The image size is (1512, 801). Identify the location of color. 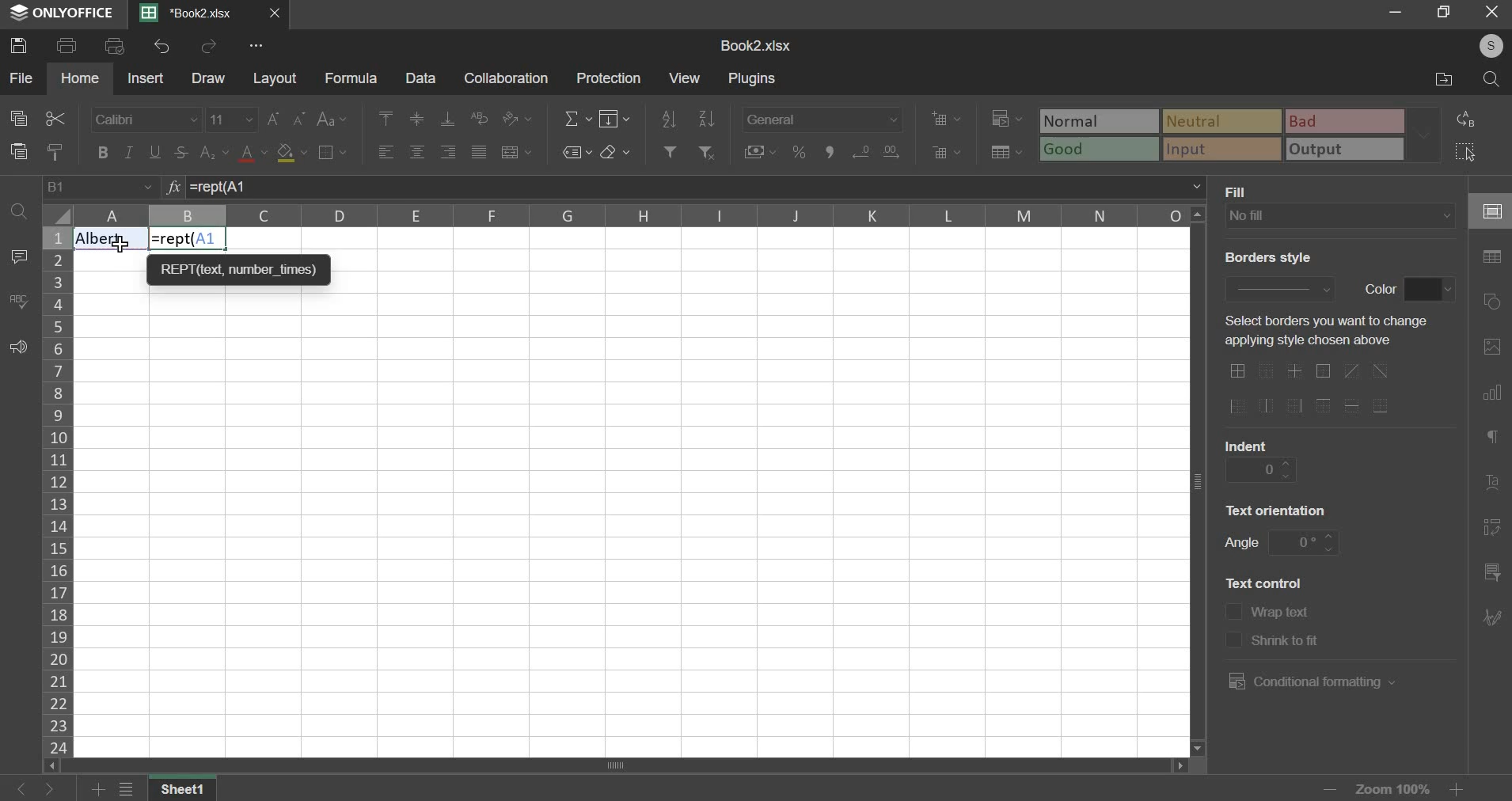
(1432, 289).